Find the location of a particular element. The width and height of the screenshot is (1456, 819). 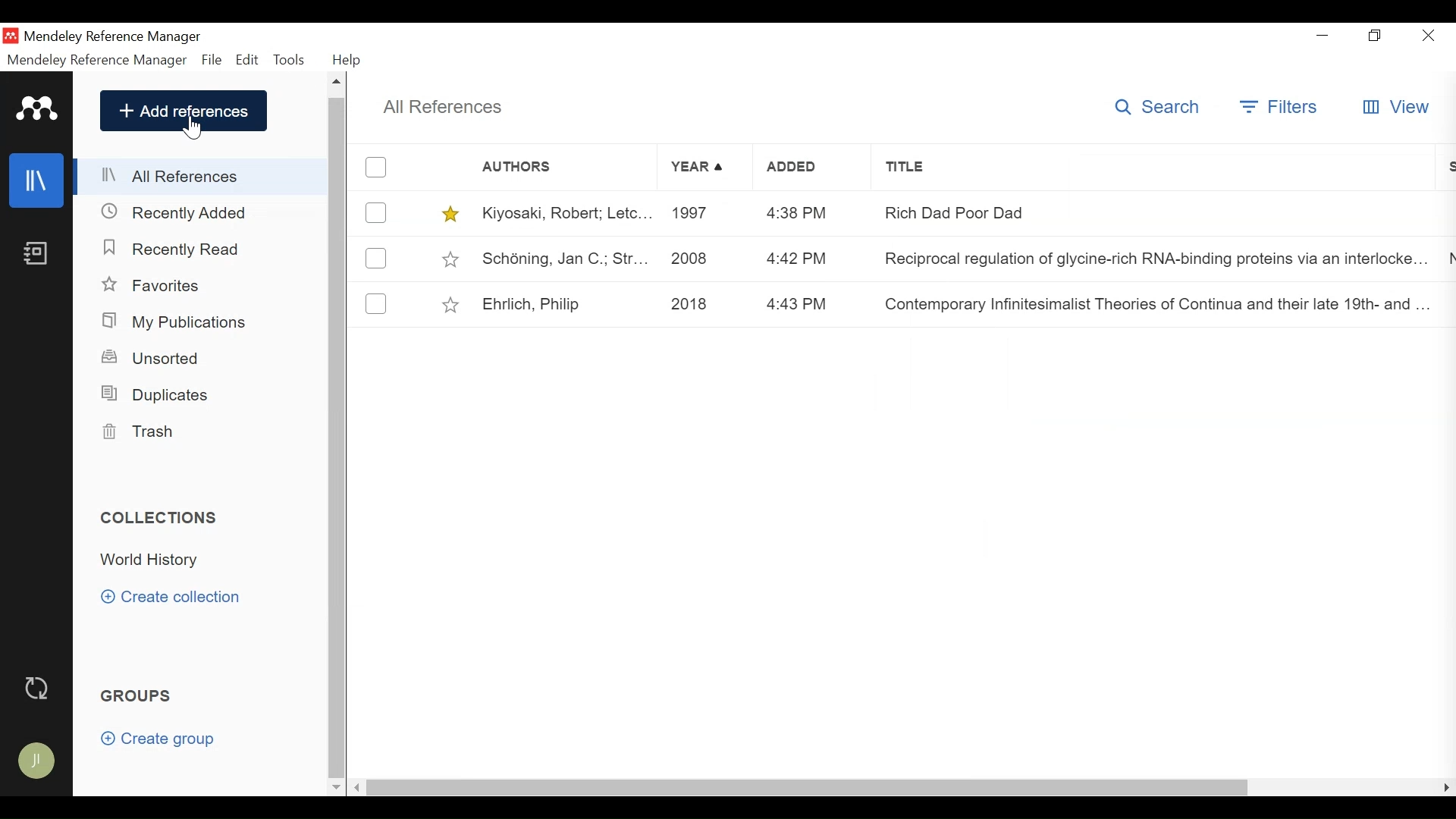

My Publication is located at coordinates (177, 322).